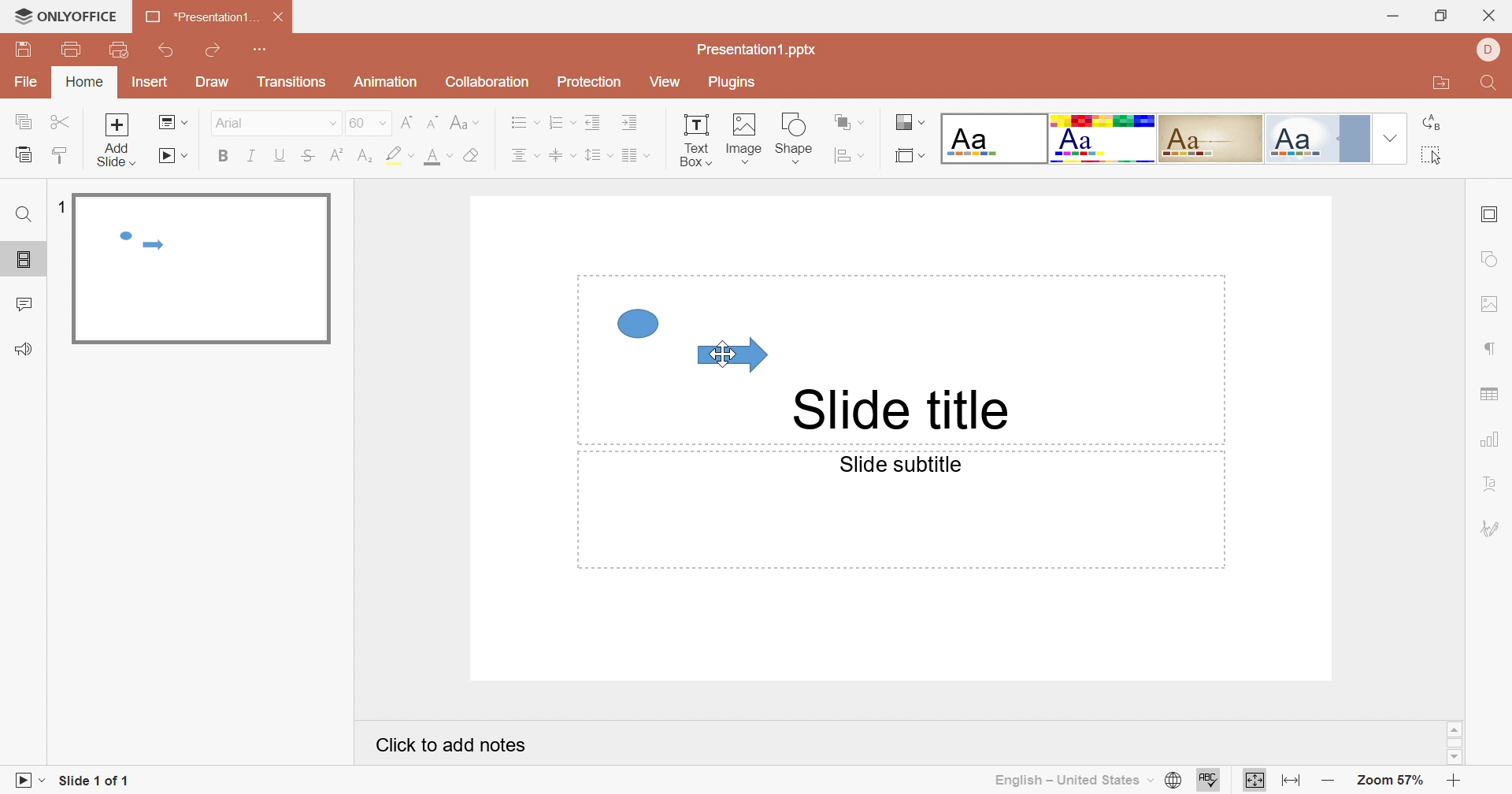 The image size is (1512, 794). What do you see at coordinates (290, 83) in the screenshot?
I see `Transition` at bounding box center [290, 83].